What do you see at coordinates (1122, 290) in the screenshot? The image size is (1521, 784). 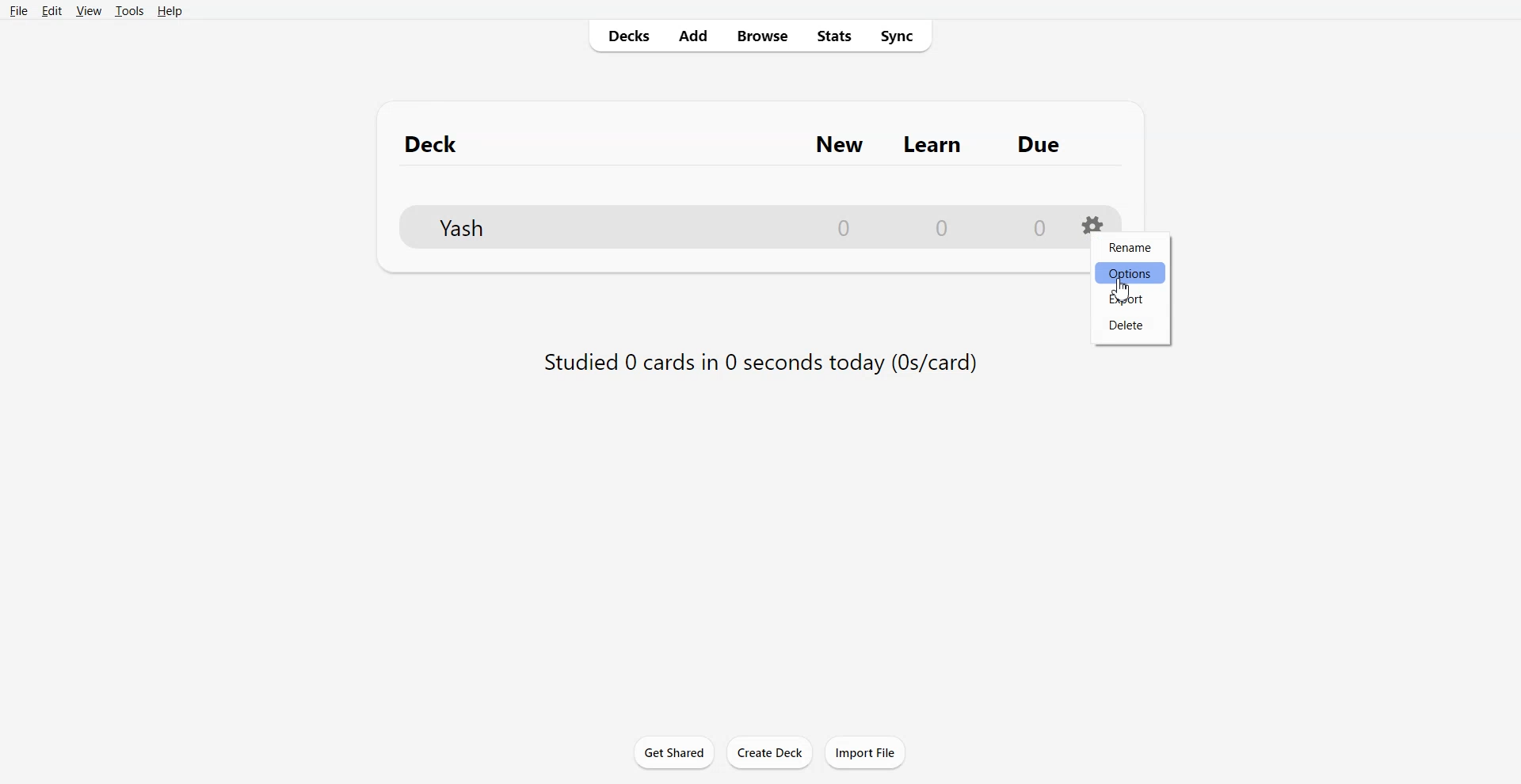 I see `Cursor` at bounding box center [1122, 290].